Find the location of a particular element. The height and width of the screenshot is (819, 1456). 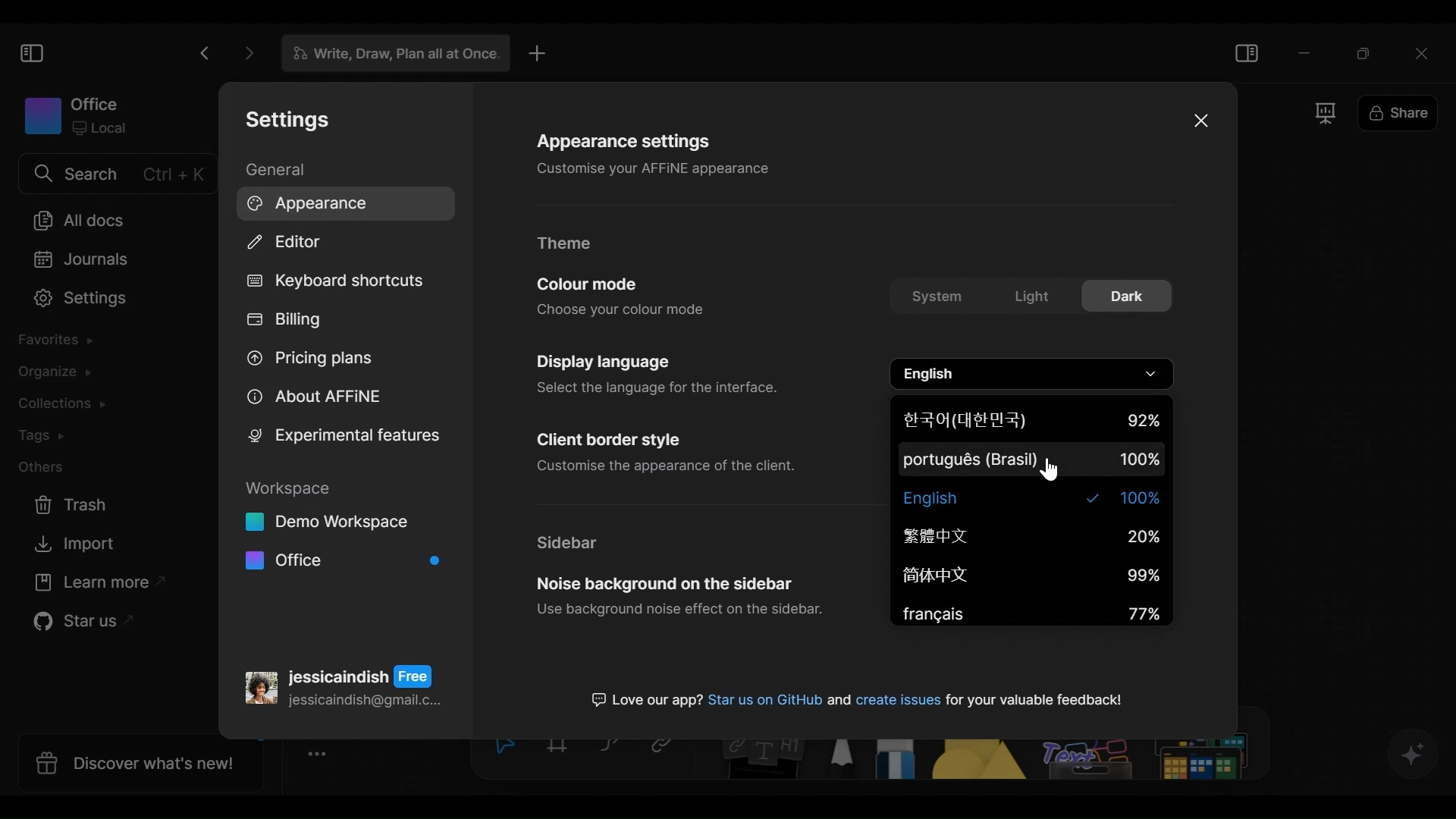

Trash is located at coordinates (76, 505).